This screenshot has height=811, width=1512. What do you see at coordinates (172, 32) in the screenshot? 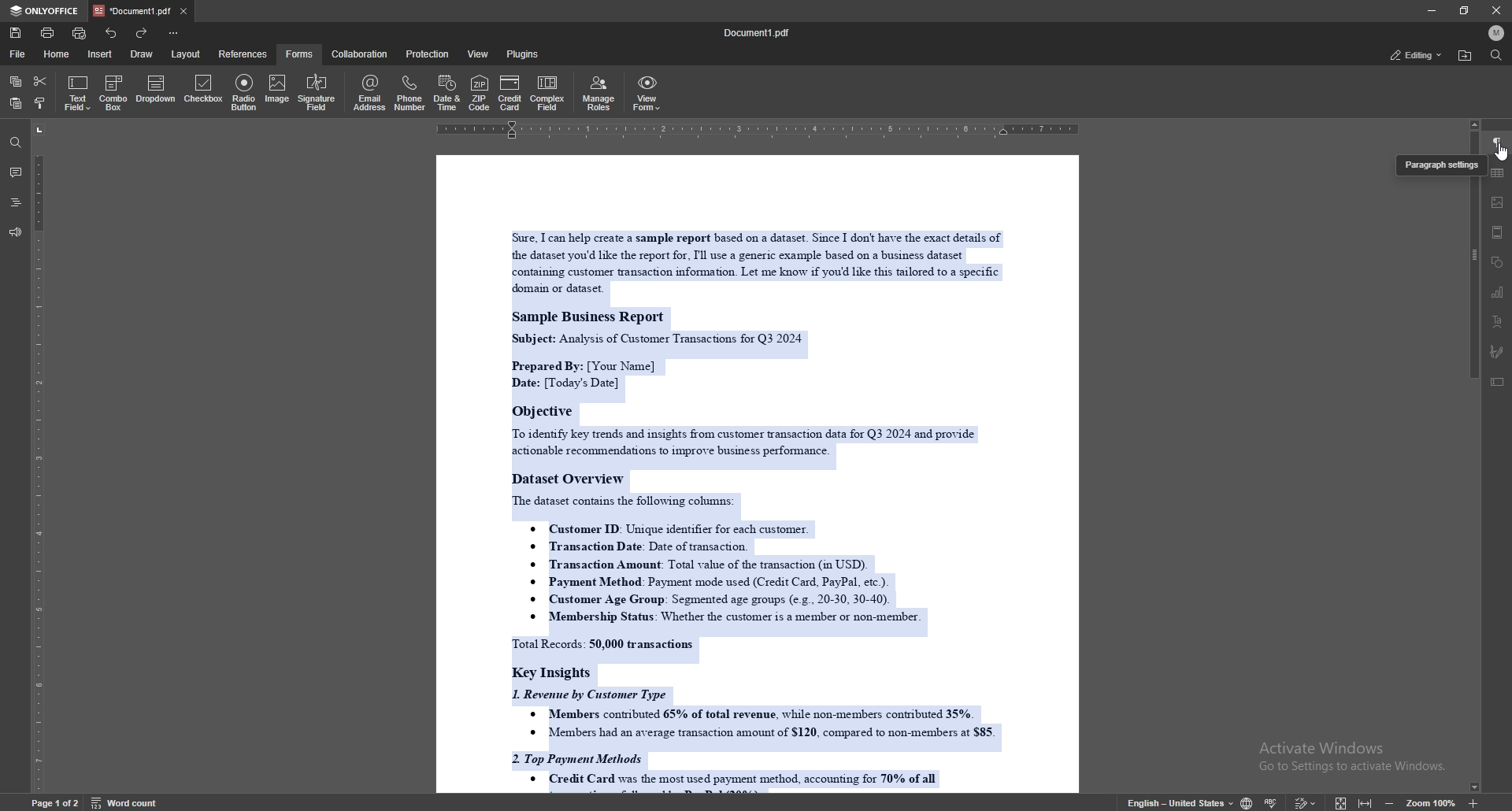
I see `customize toolbar` at bounding box center [172, 32].